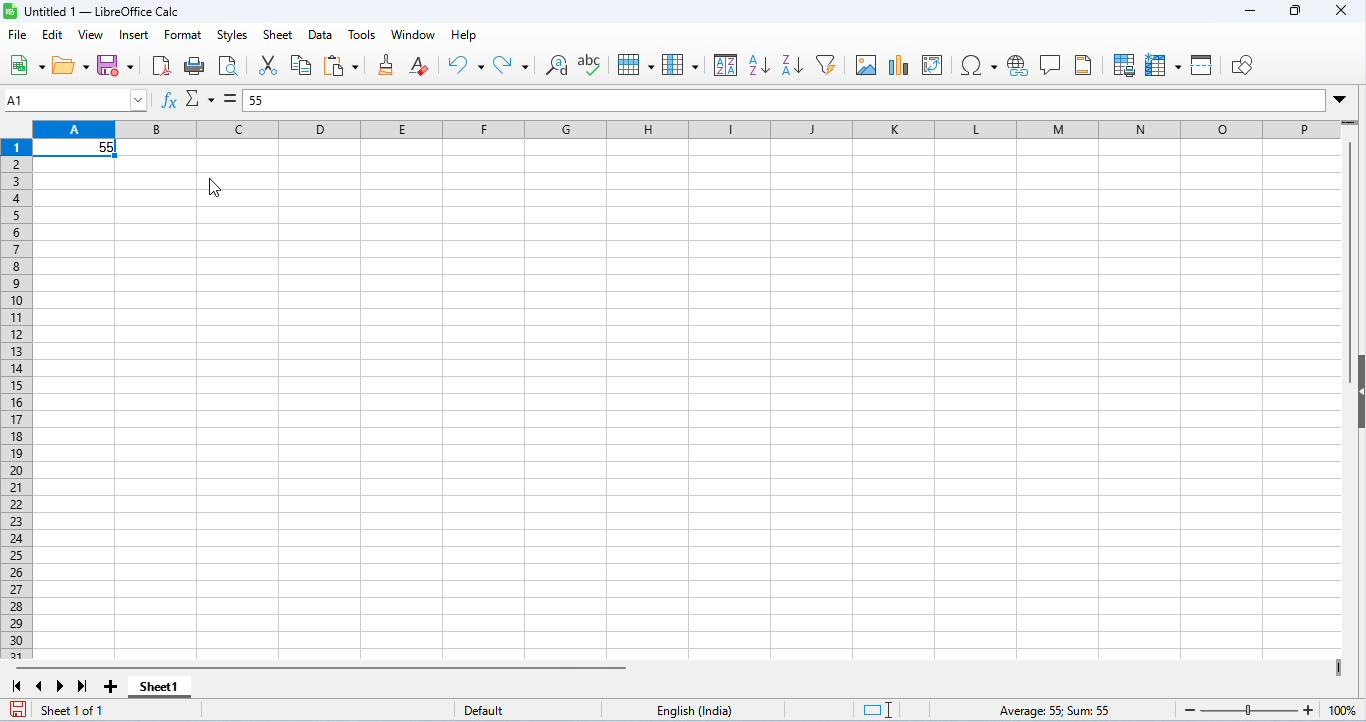 This screenshot has height=722, width=1366. Describe the element at coordinates (60, 686) in the screenshot. I see `next sheet` at that location.